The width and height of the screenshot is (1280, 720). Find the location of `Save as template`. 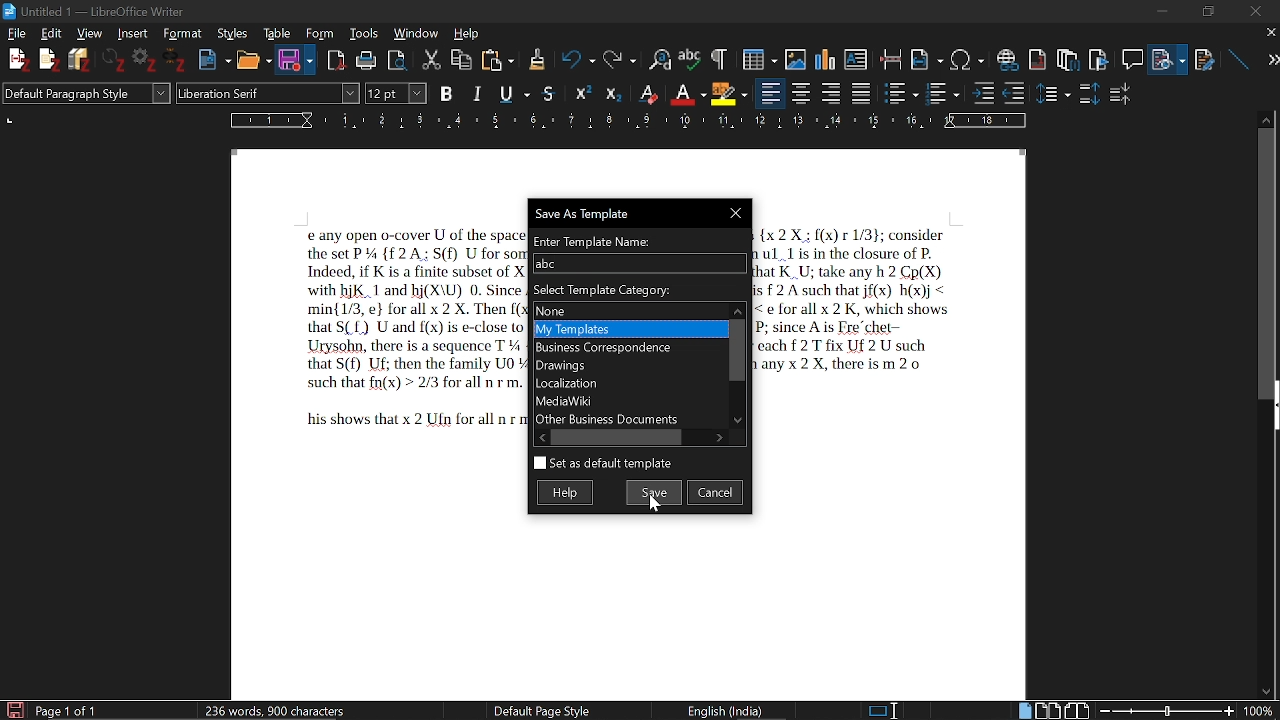

Save as template is located at coordinates (635, 212).